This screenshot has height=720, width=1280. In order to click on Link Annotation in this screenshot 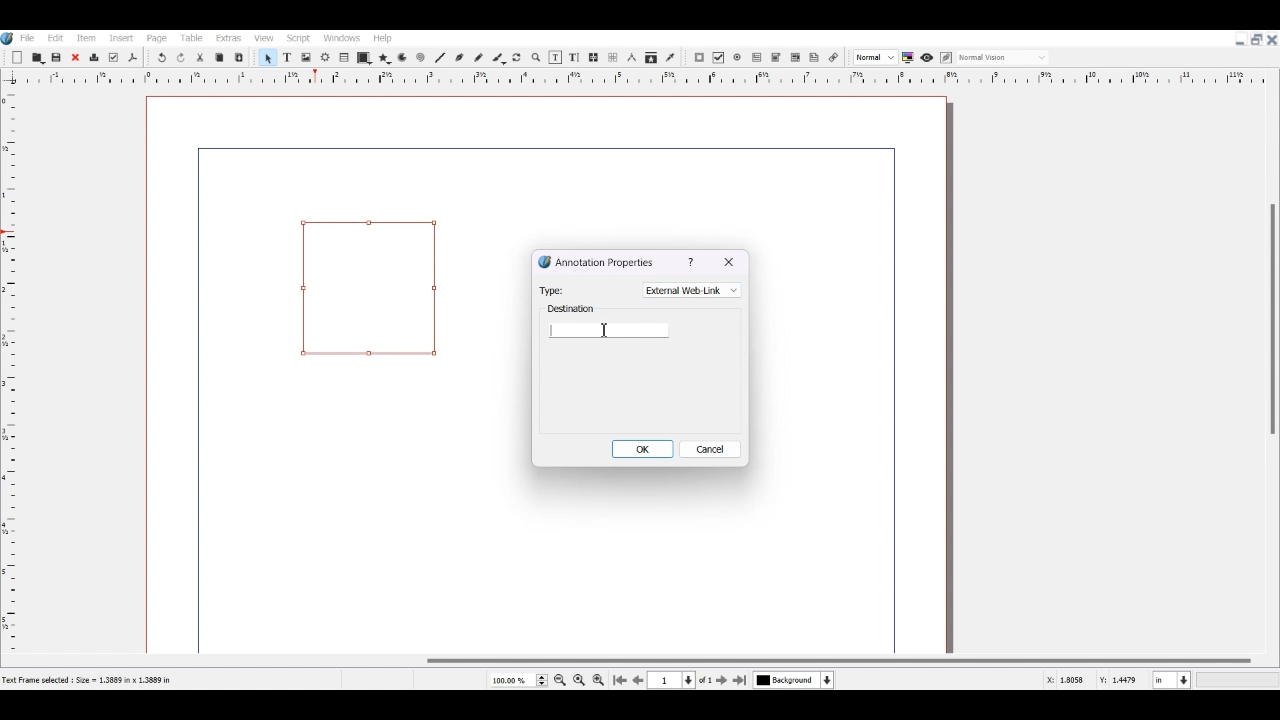, I will do `click(368, 287)`.